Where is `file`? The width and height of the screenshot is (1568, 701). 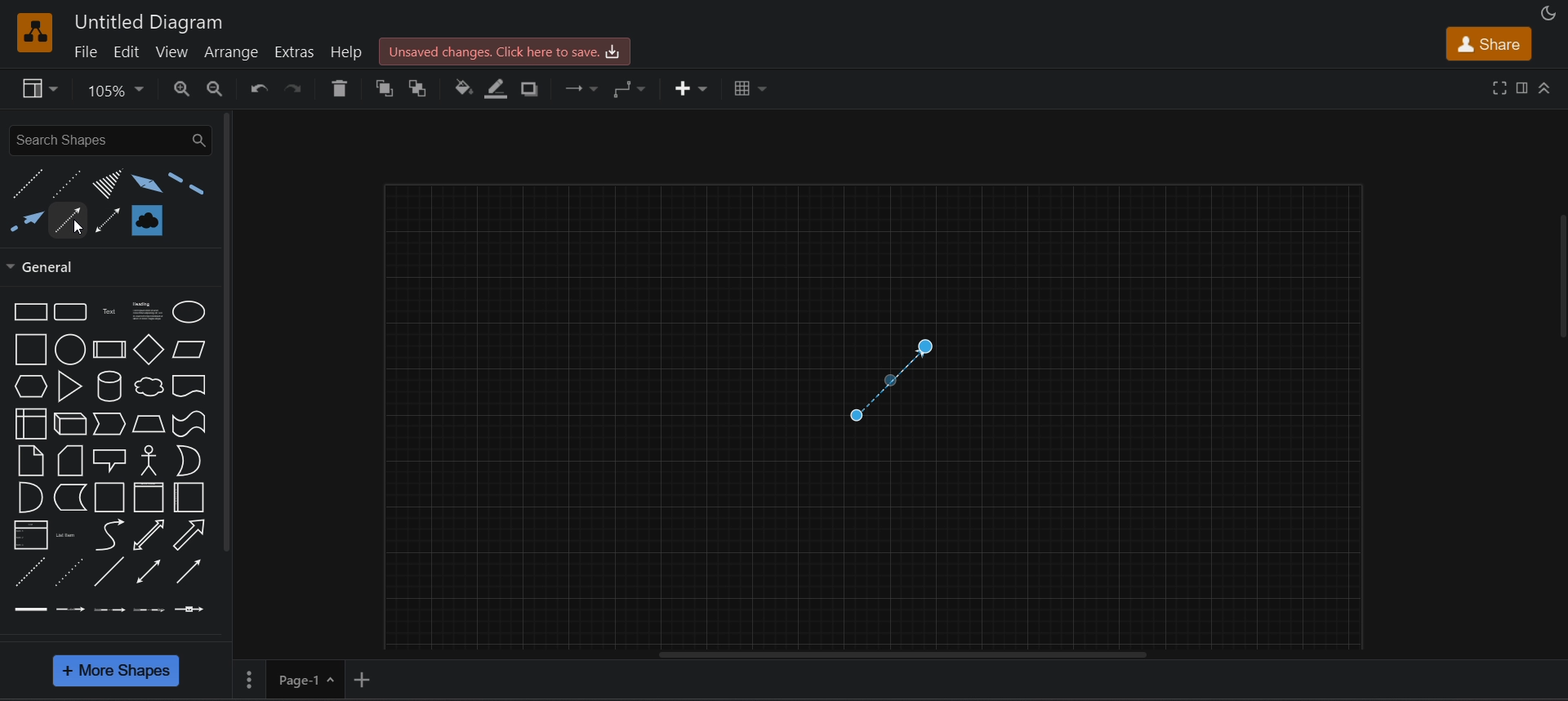 file is located at coordinates (85, 51).